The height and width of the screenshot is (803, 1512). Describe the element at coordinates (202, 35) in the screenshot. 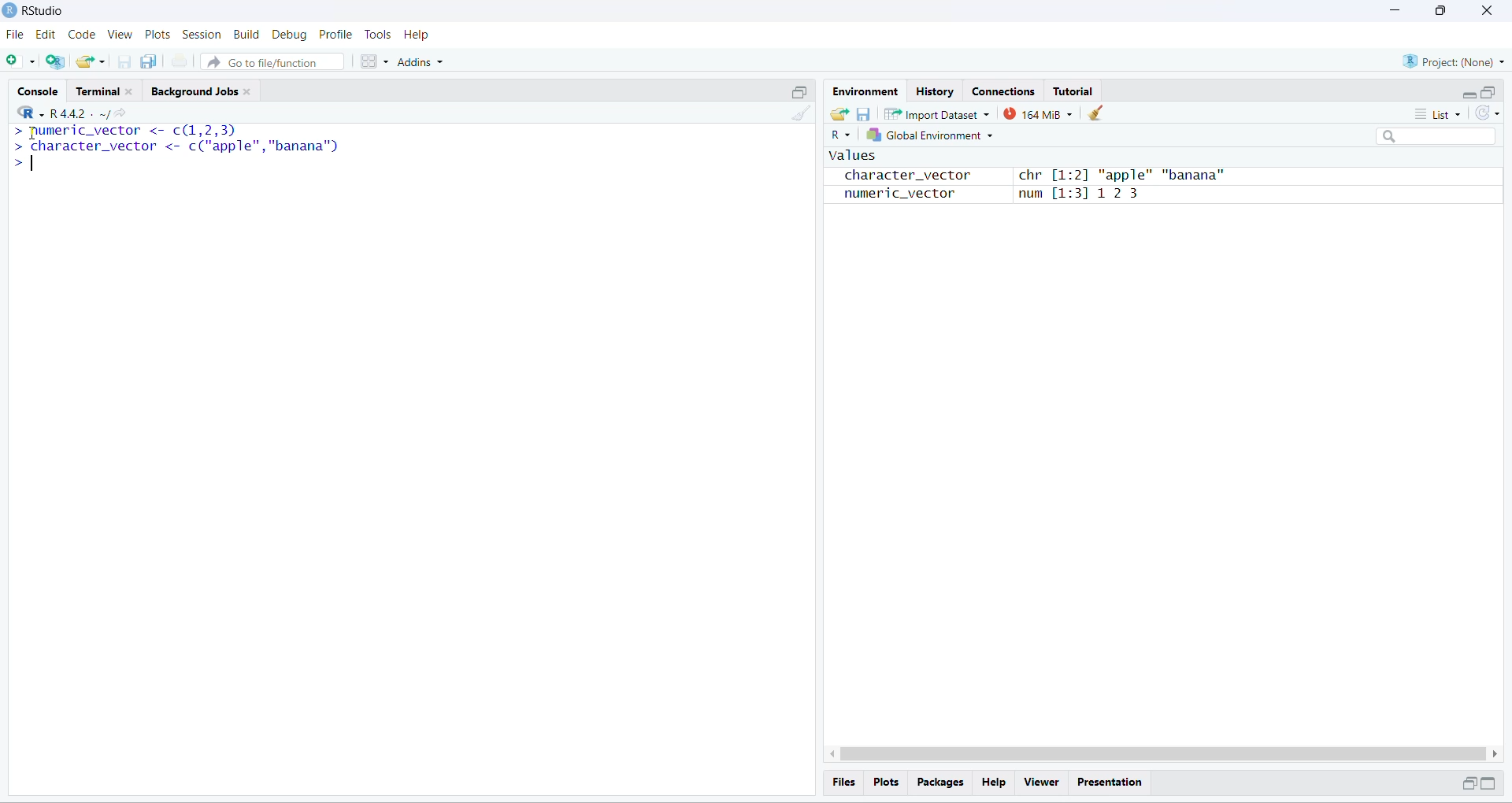

I see `Session` at that location.